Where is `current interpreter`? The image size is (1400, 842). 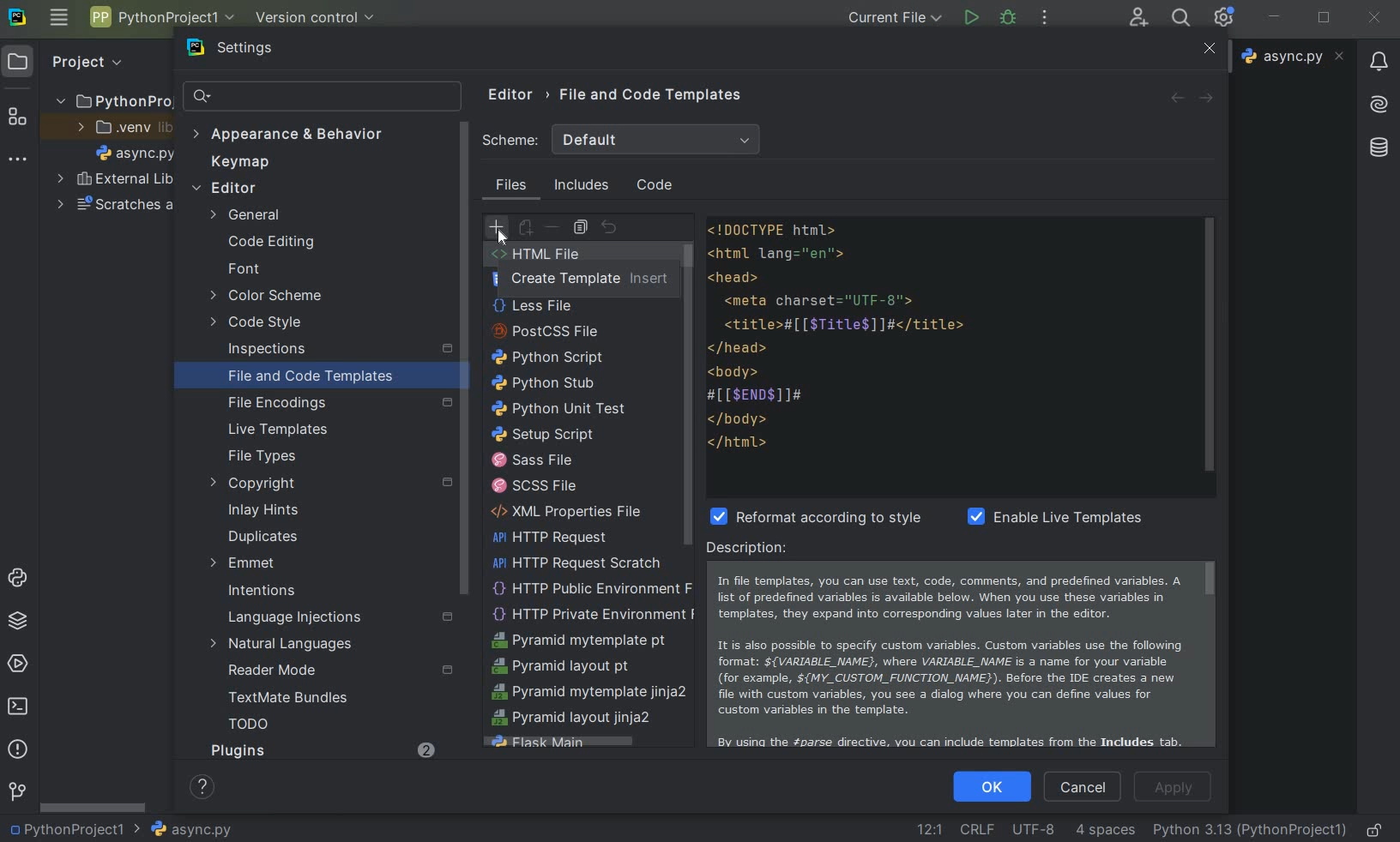 current interpreter is located at coordinates (1252, 831).